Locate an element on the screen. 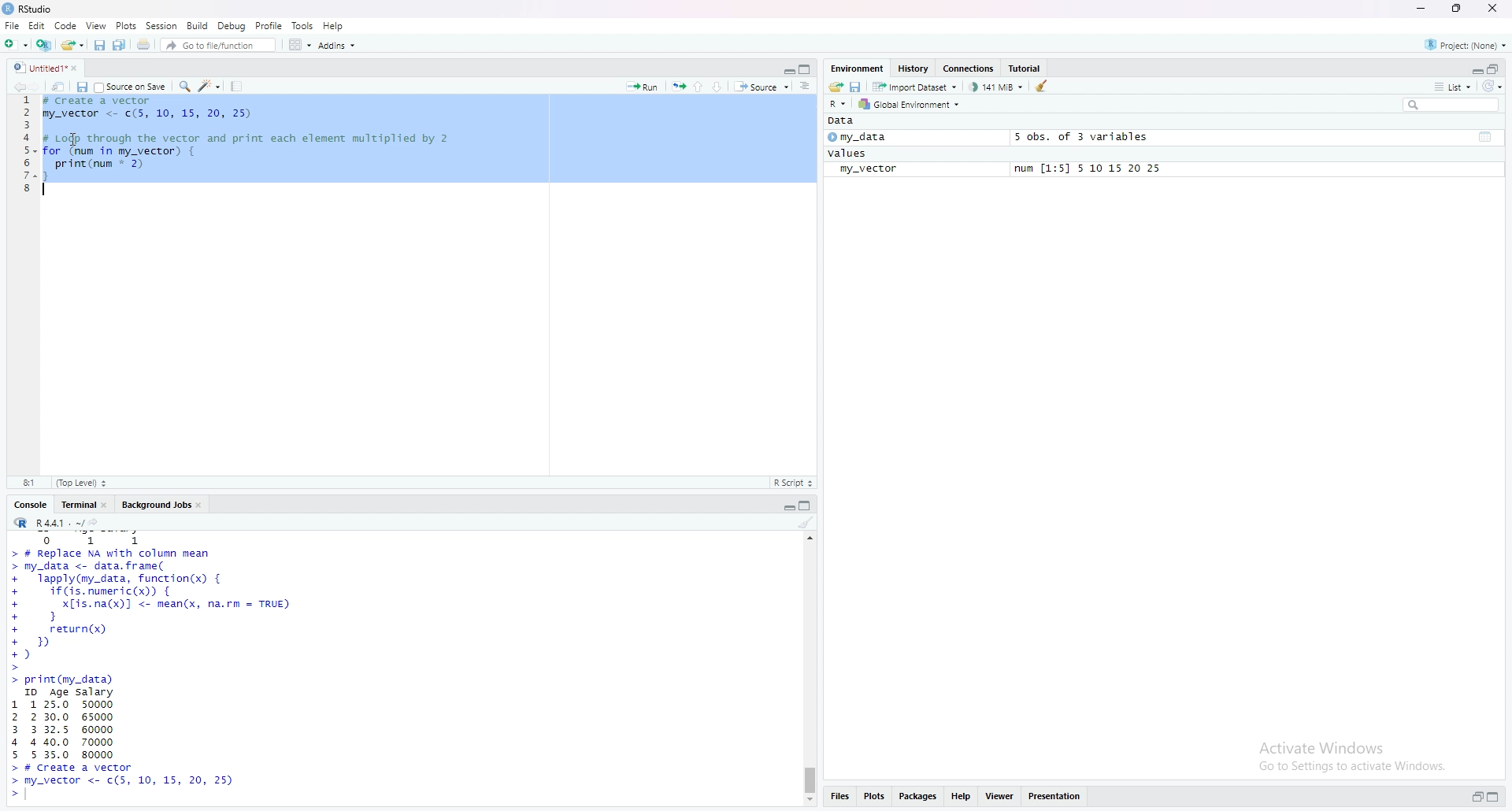 This screenshot has height=811, width=1512. Global Environment  is located at coordinates (913, 104).